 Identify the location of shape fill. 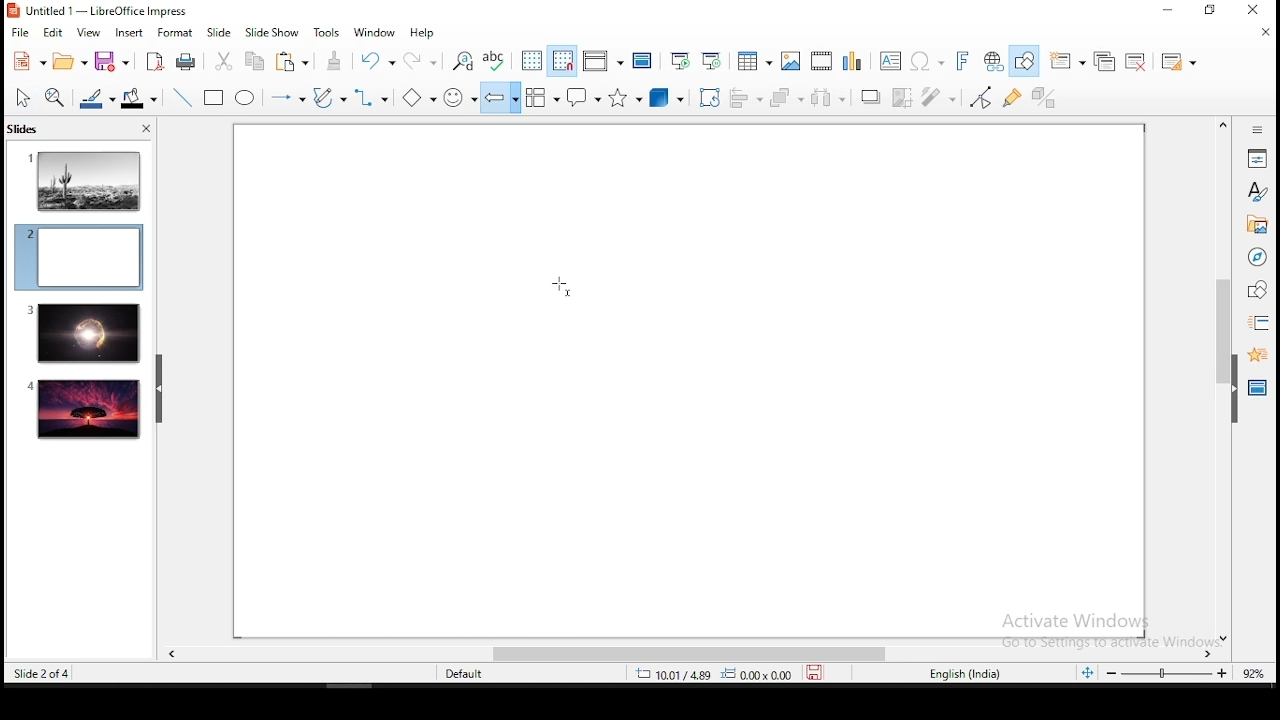
(138, 100).